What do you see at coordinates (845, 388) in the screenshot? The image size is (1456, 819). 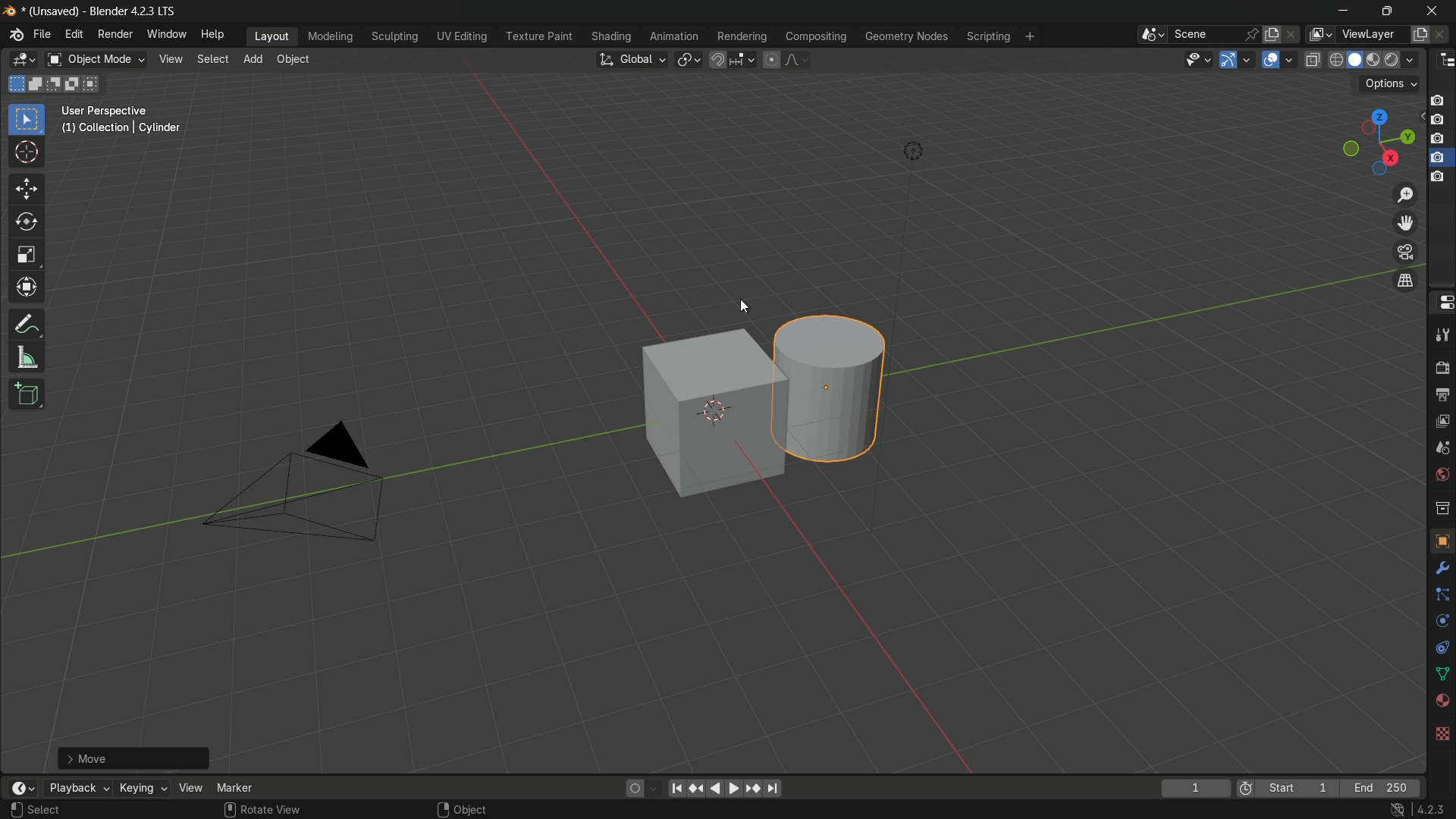 I see `cylinder` at bounding box center [845, 388].